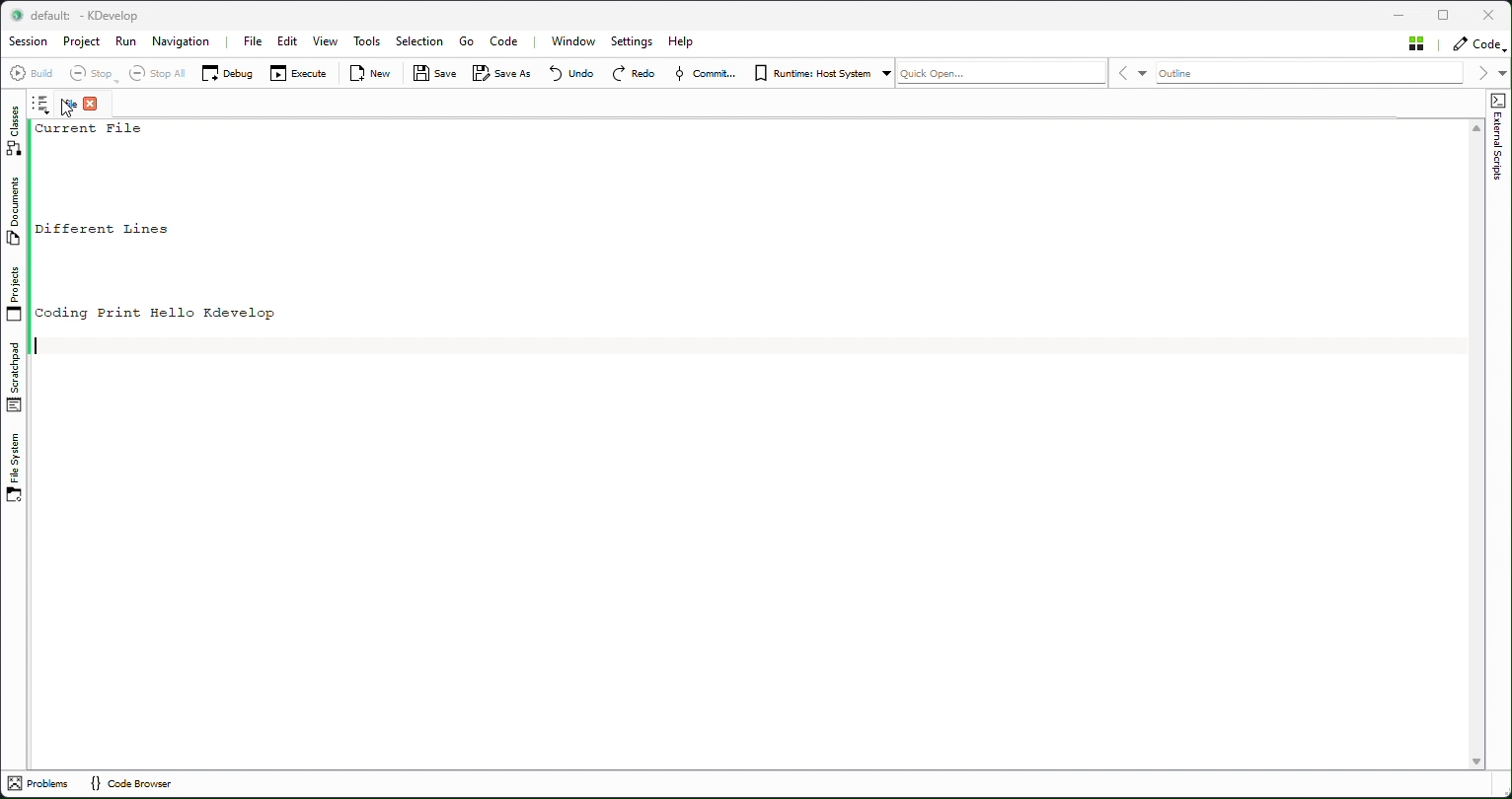  What do you see at coordinates (82, 41) in the screenshot?
I see `Project` at bounding box center [82, 41].